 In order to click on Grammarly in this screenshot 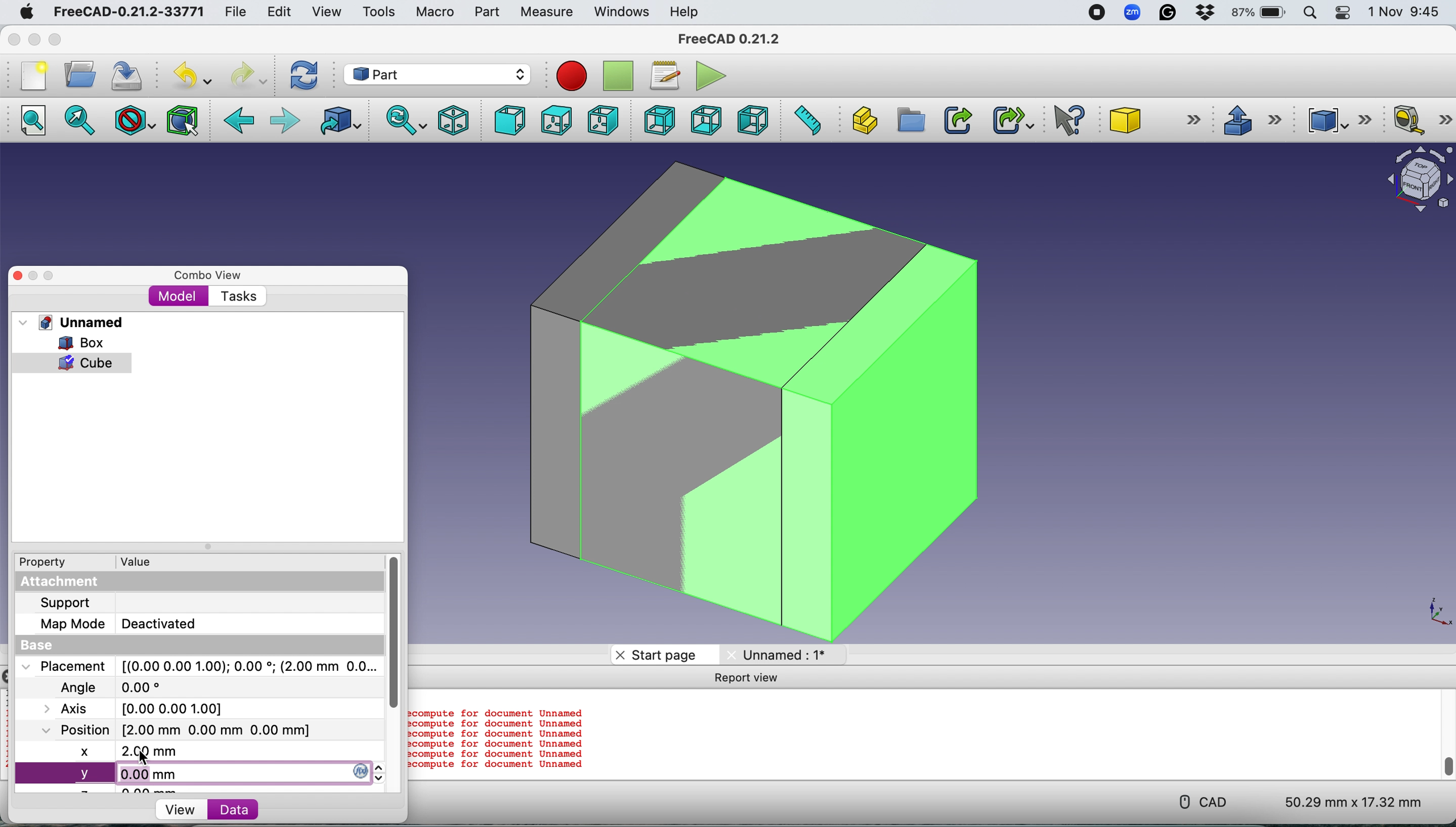, I will do `click(1169, 12)`.